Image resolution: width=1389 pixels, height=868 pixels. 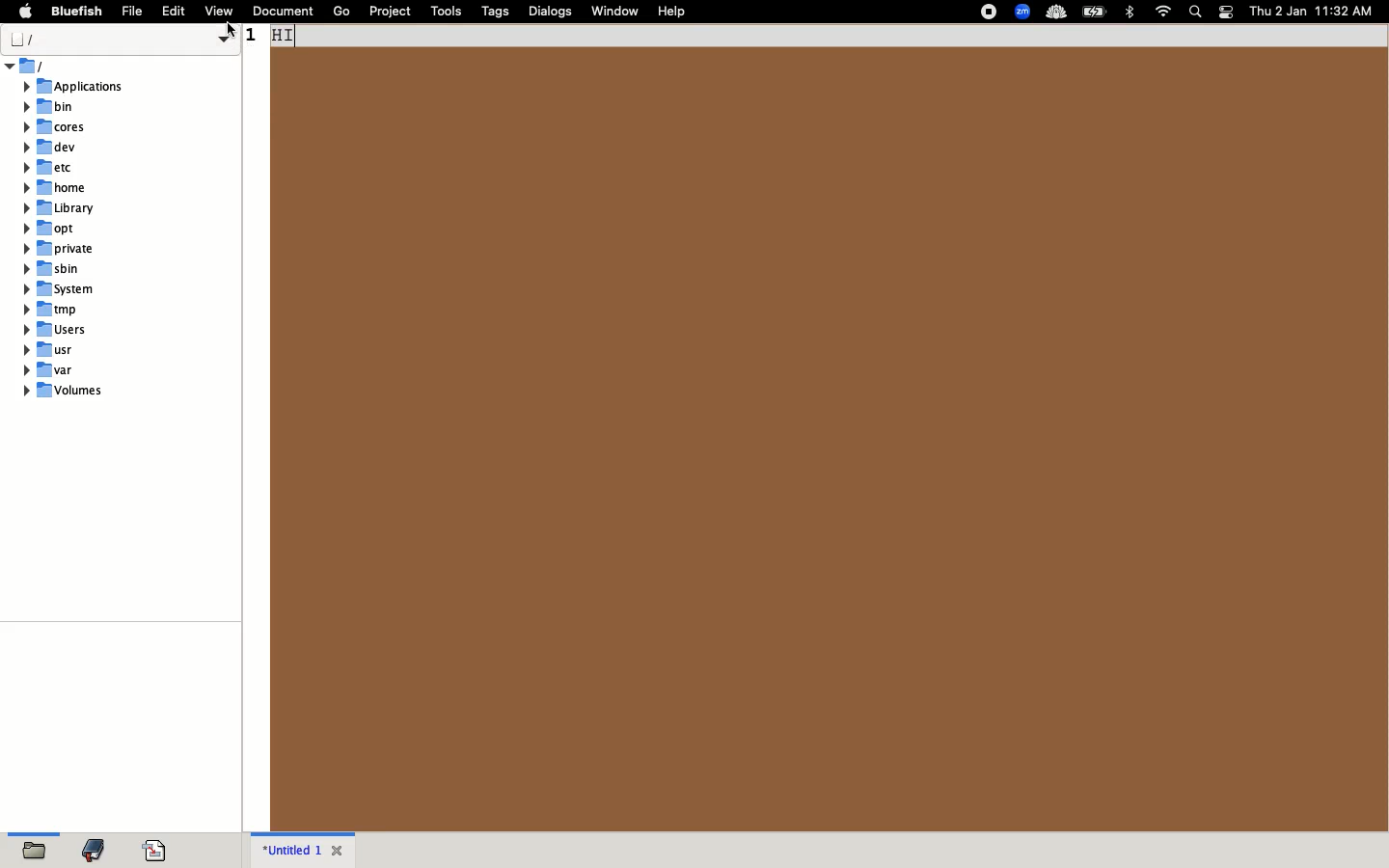 I want to click on view, so click(x=221, y=10).